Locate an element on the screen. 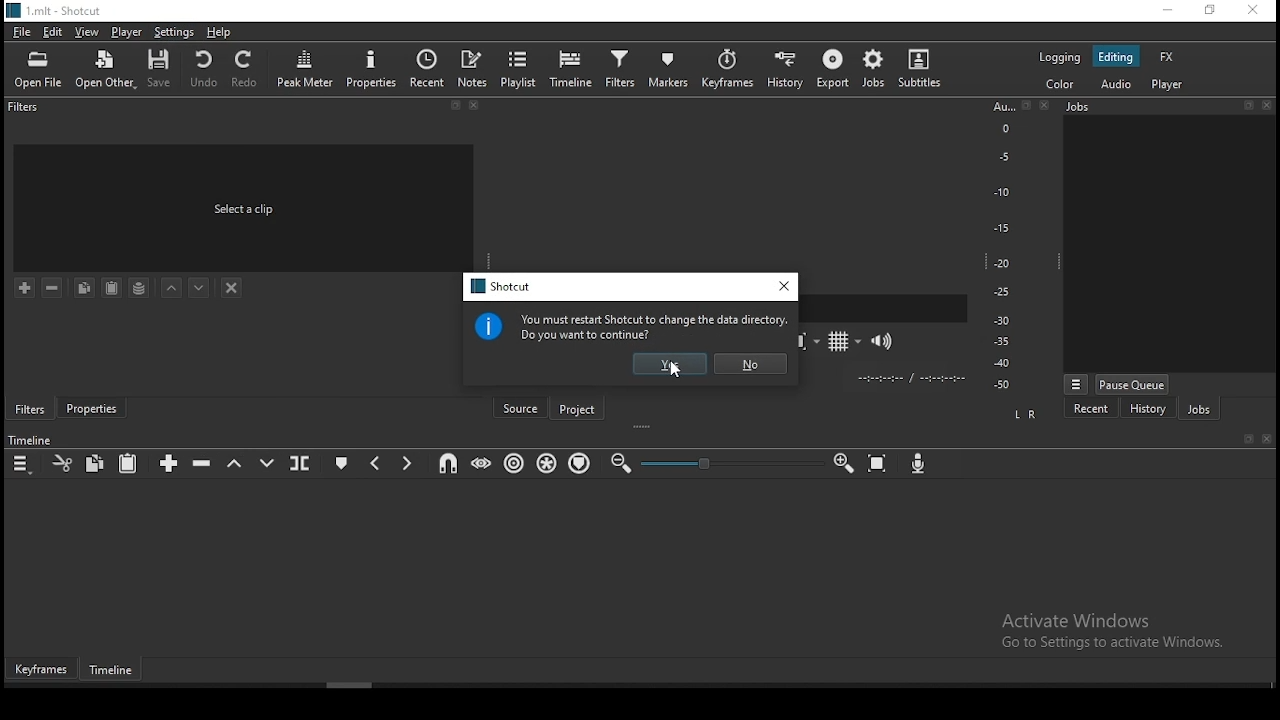 The image size is (1280, 720). no is located at coordinates (748, 364).